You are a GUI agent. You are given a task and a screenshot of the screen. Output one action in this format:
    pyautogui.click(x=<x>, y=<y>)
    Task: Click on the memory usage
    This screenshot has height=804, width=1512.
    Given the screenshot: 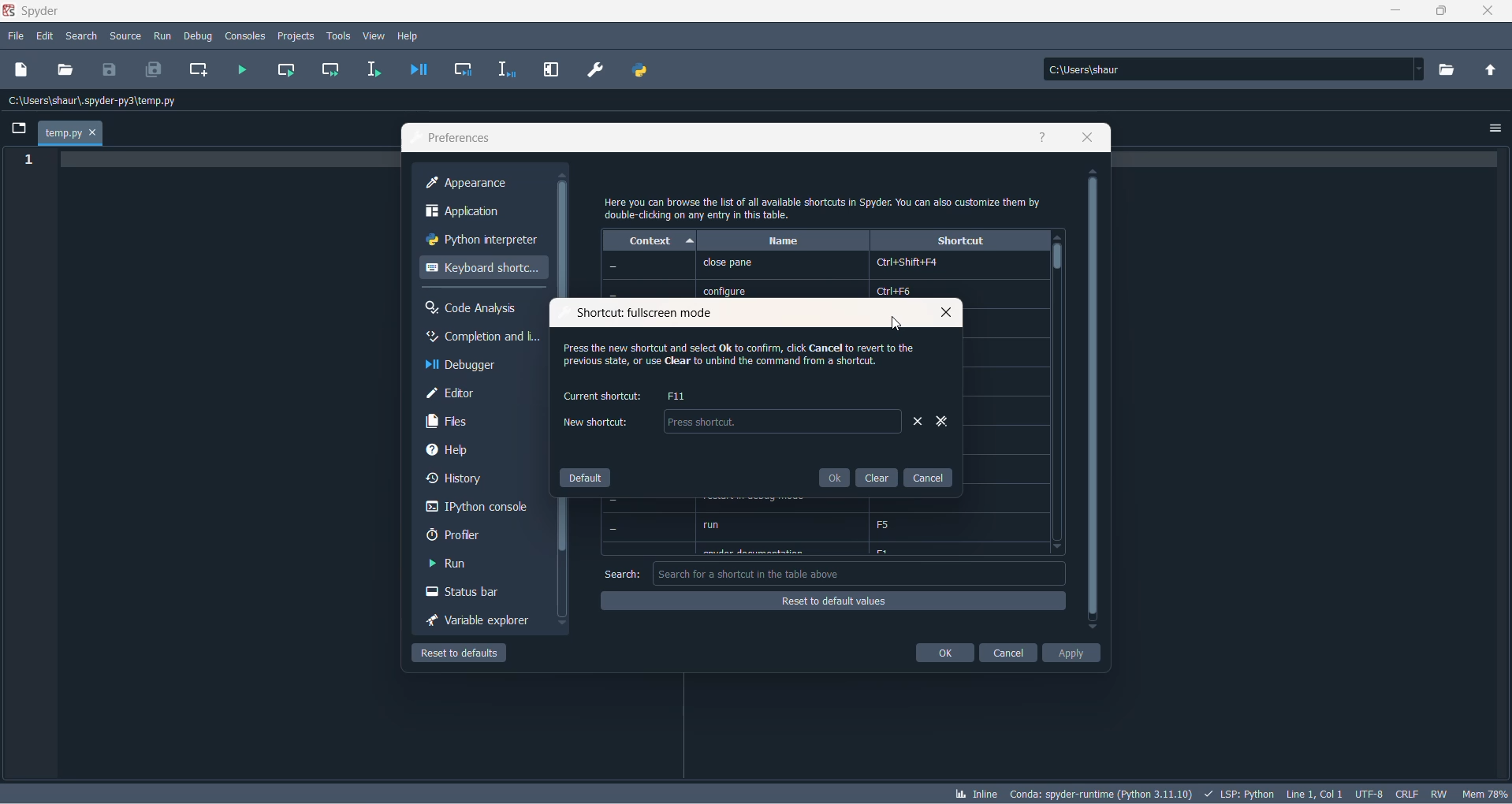 What is the action you would take?
    pyautogui.click(x=1487, y=794)
    